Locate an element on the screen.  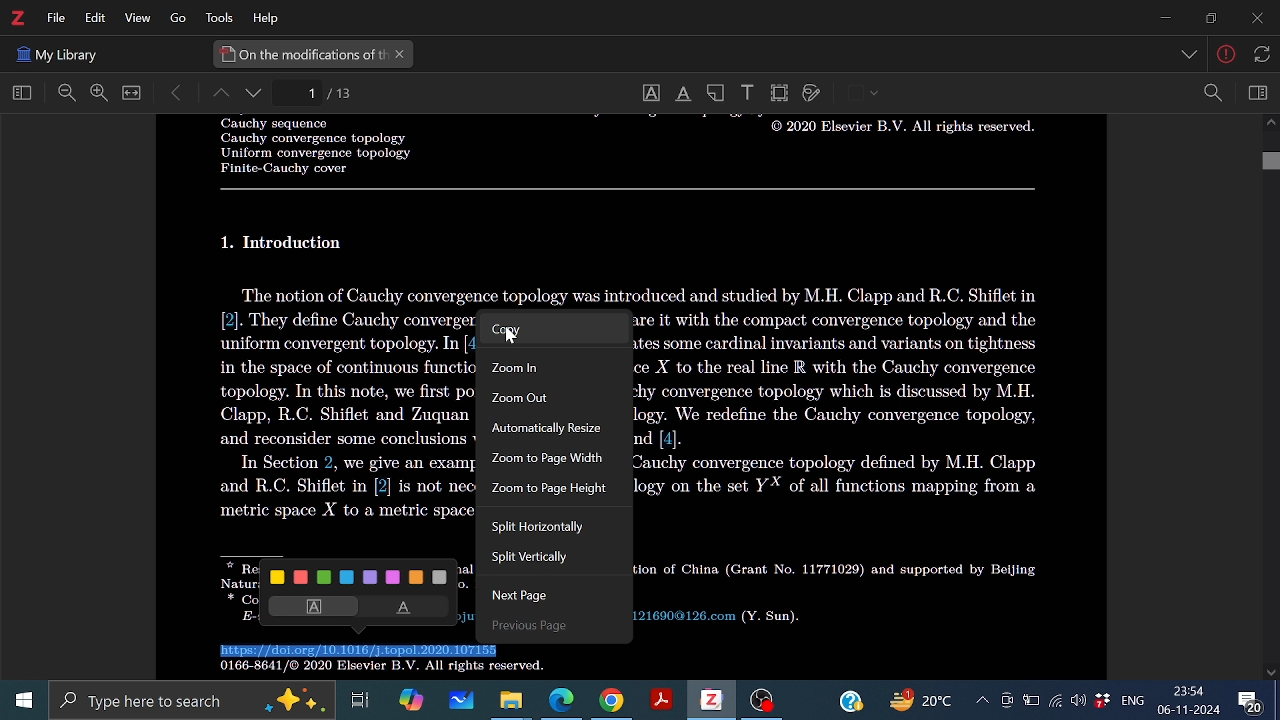
Select text is located at coordinates (650, 93).